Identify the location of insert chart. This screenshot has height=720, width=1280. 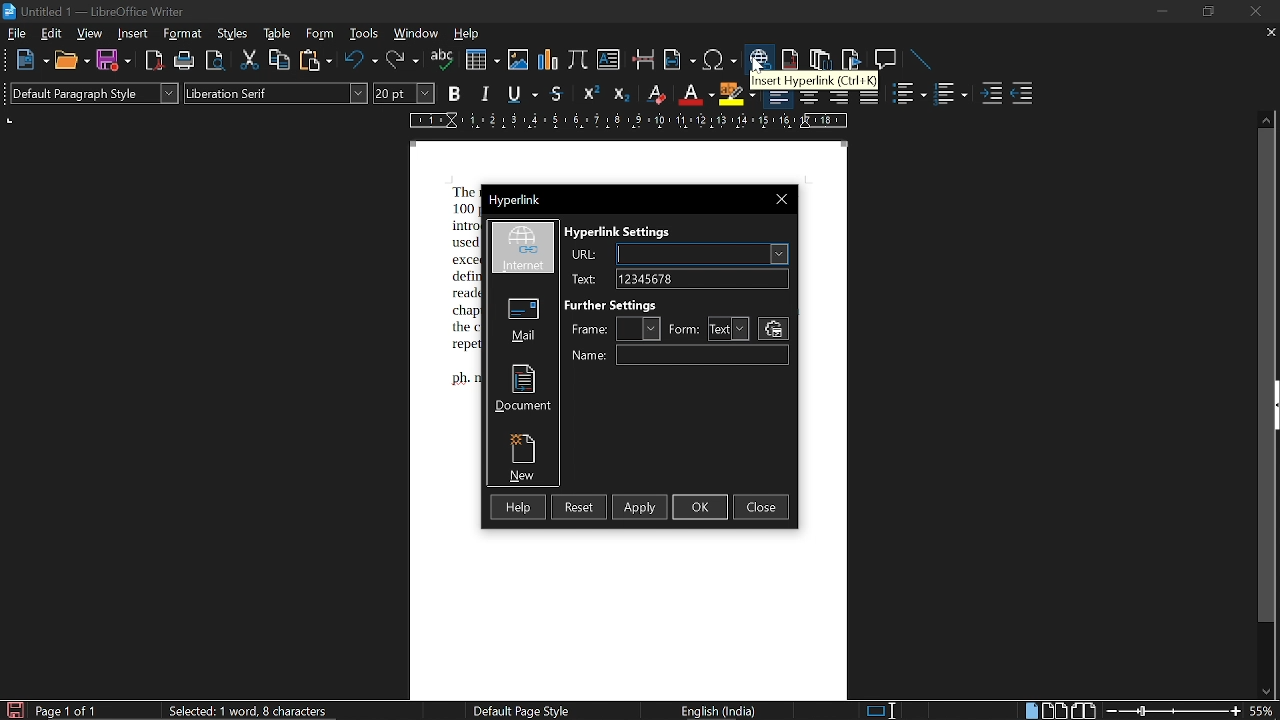
(547, 59).